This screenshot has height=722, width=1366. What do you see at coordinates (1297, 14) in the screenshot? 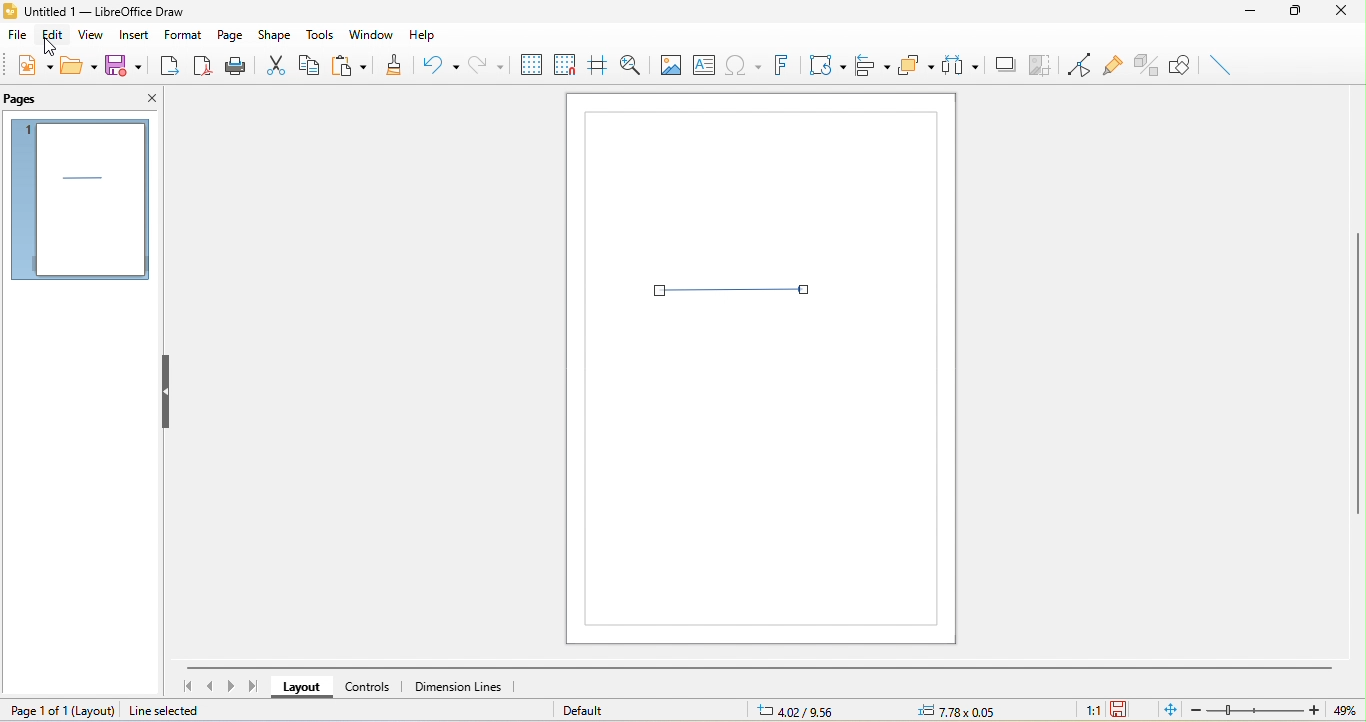
I see `maximize` at bounding box center [1297, 14].